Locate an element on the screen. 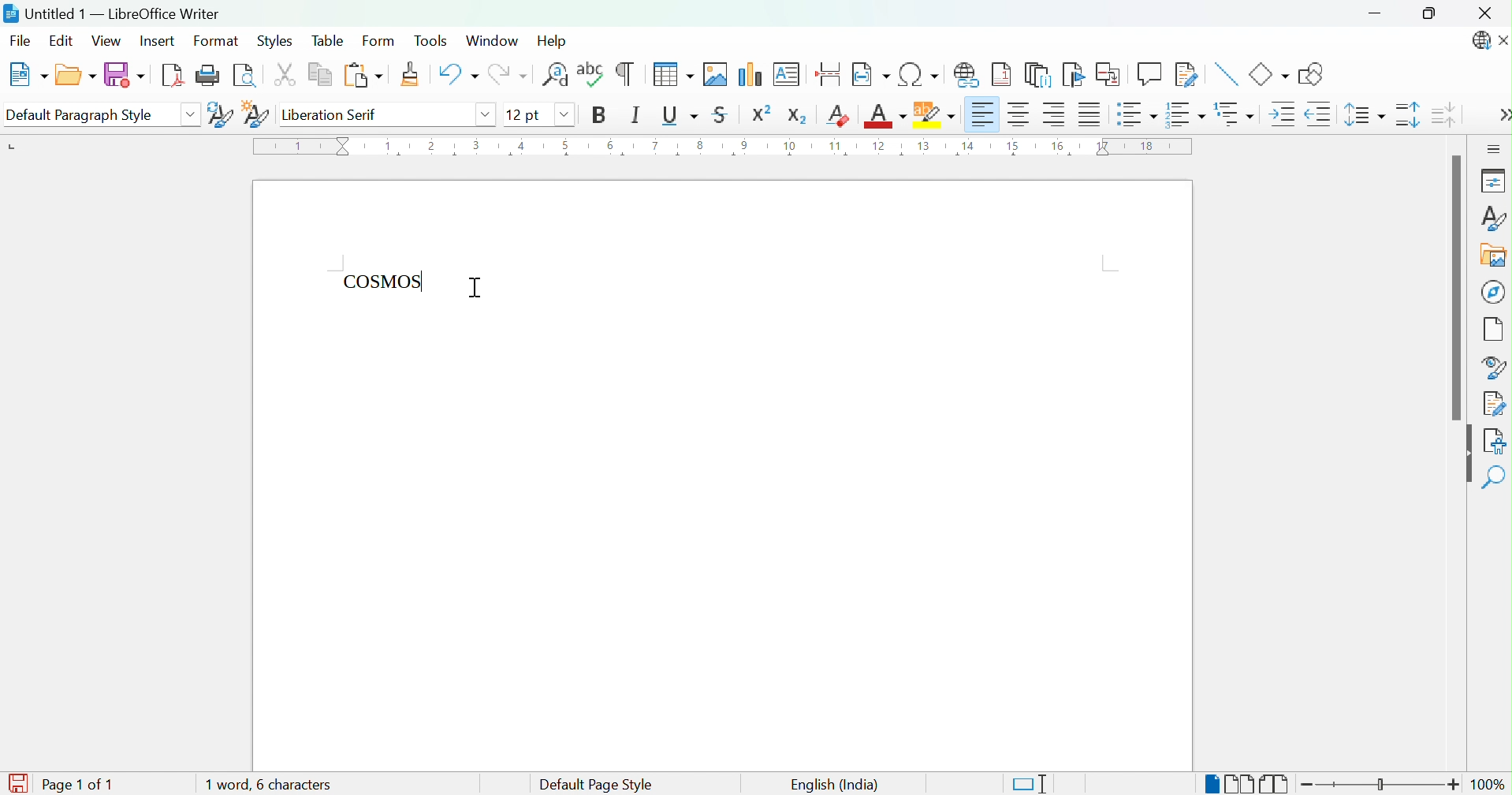  Window is located at coordinates (495, 42).